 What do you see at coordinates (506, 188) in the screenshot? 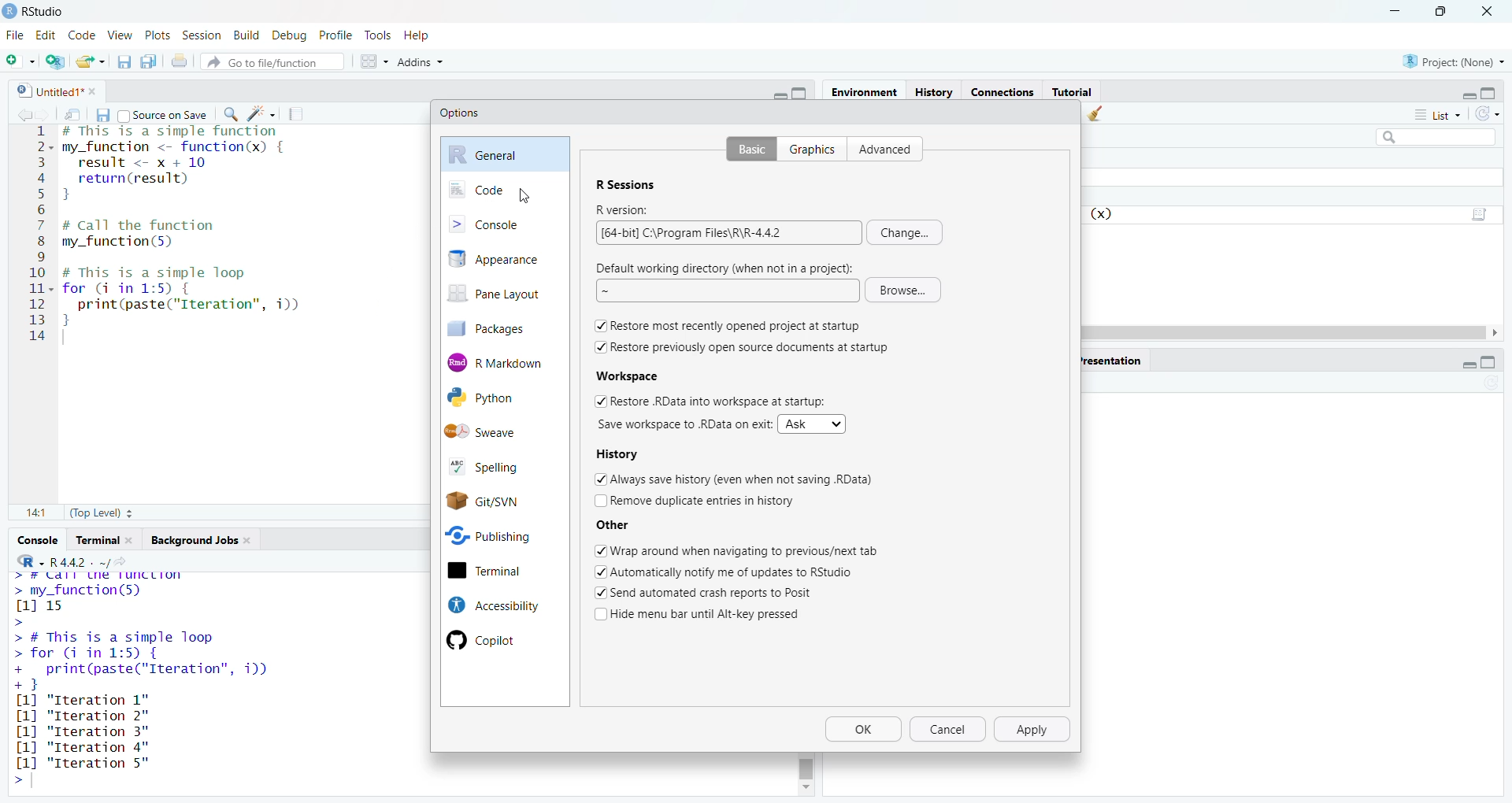
I see `code` at bounding box center [506, 188].